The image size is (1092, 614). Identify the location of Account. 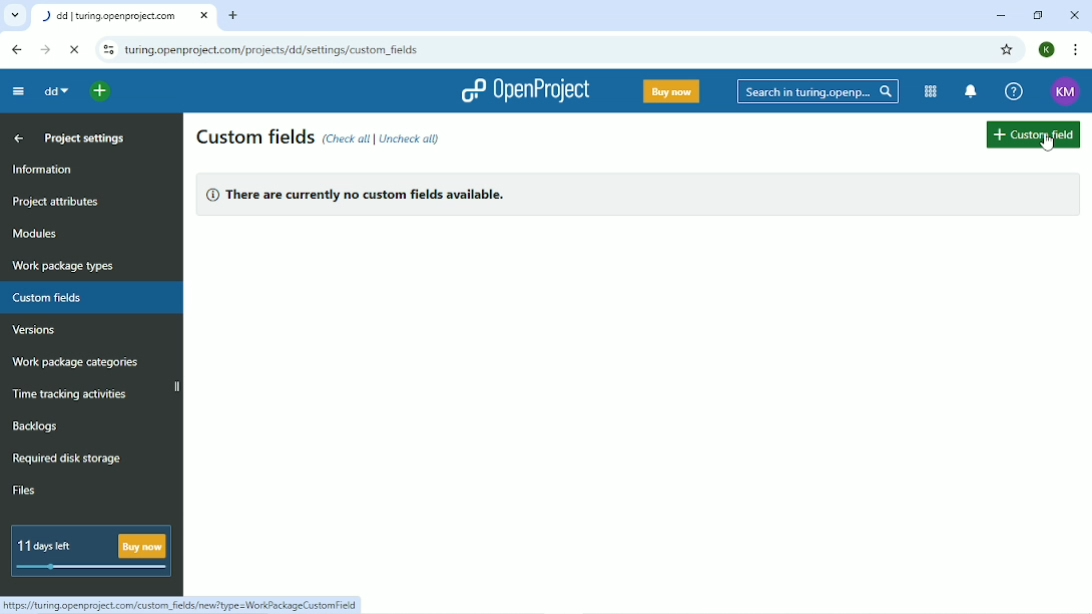
(1063, 90).